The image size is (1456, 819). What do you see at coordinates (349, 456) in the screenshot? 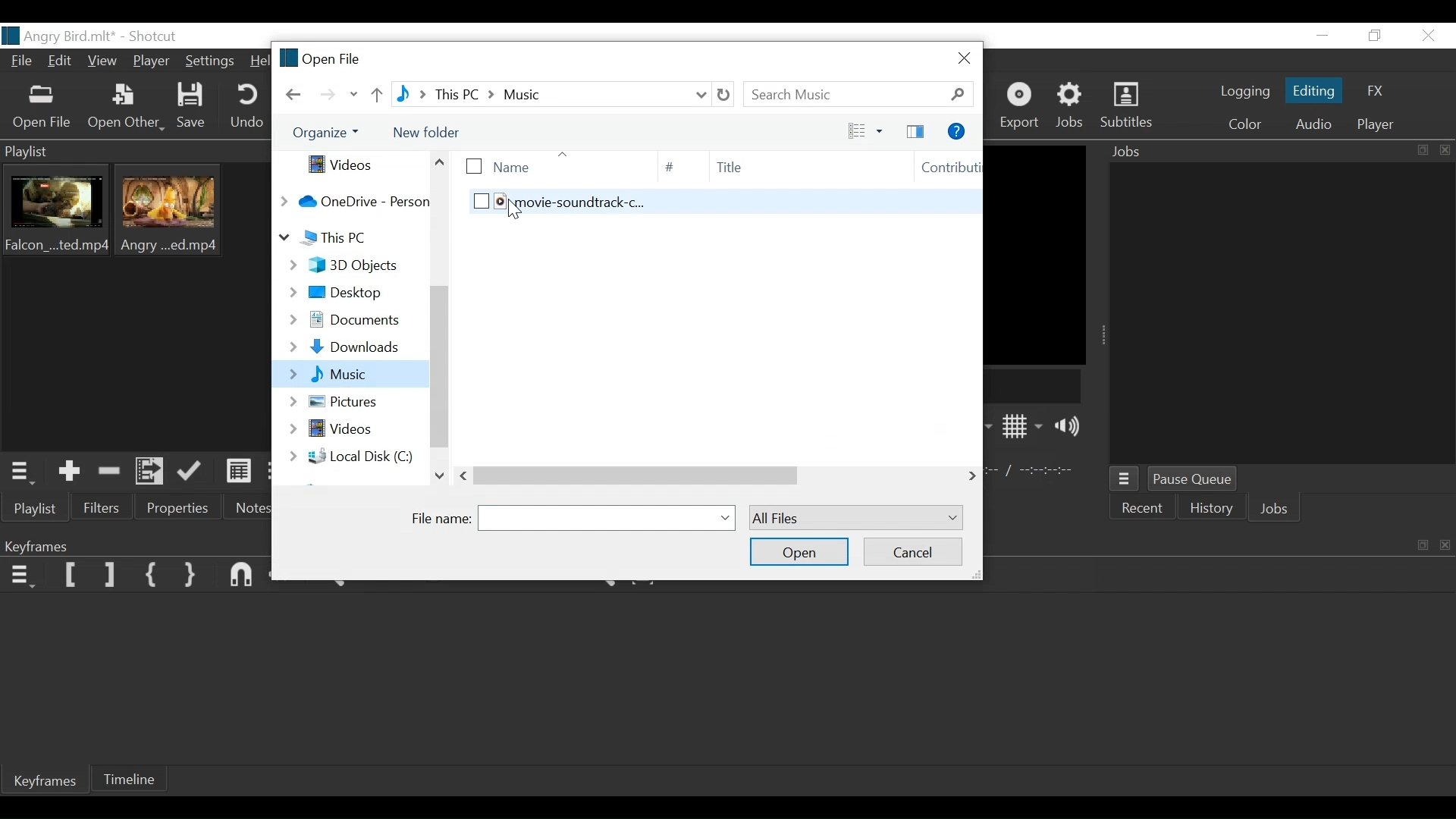
I see `Local Disc (C:)` at bounding box center [349, 456].